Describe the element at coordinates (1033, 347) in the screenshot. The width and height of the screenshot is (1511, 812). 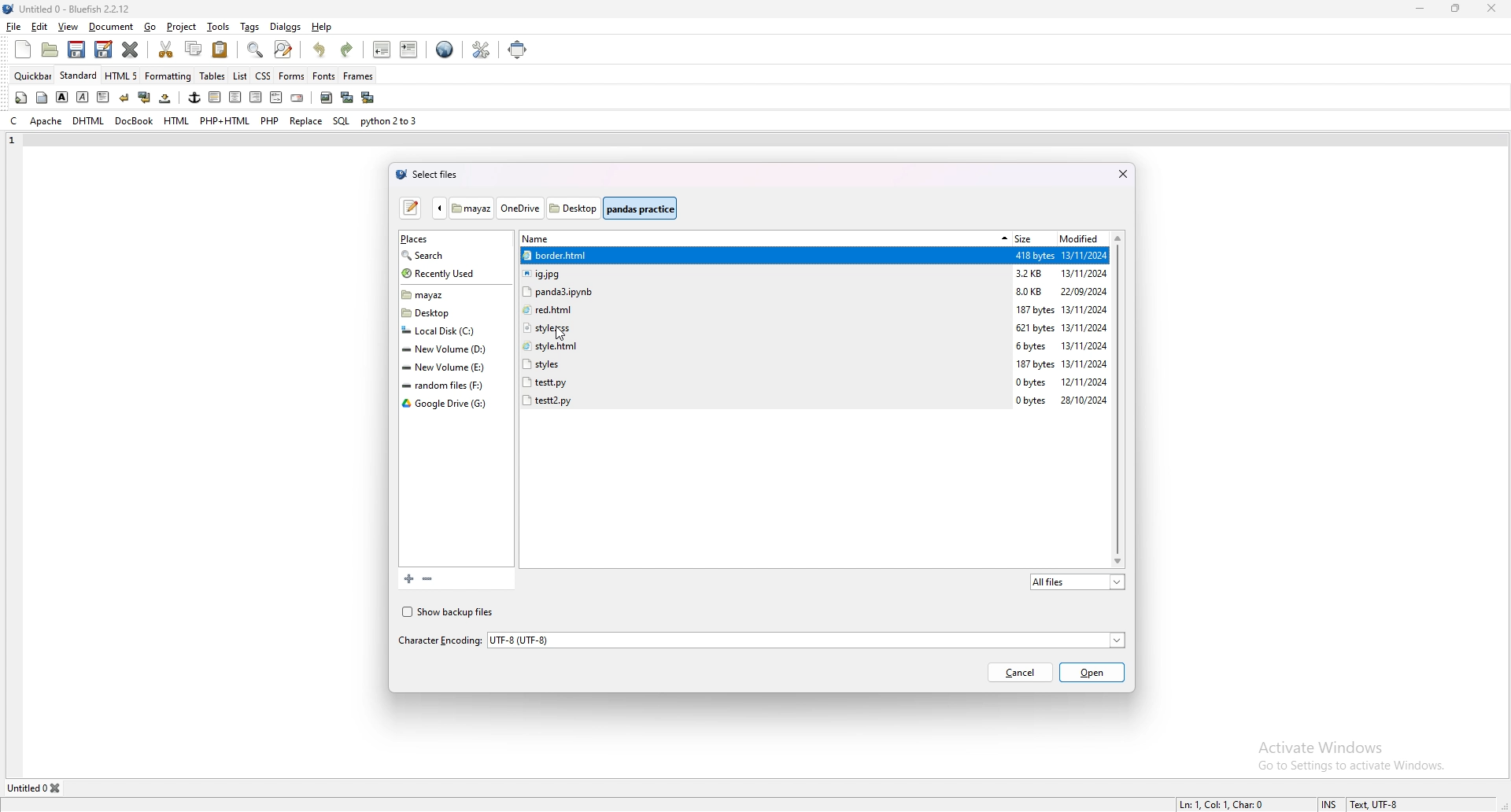
I see `6 bytes` at that location.